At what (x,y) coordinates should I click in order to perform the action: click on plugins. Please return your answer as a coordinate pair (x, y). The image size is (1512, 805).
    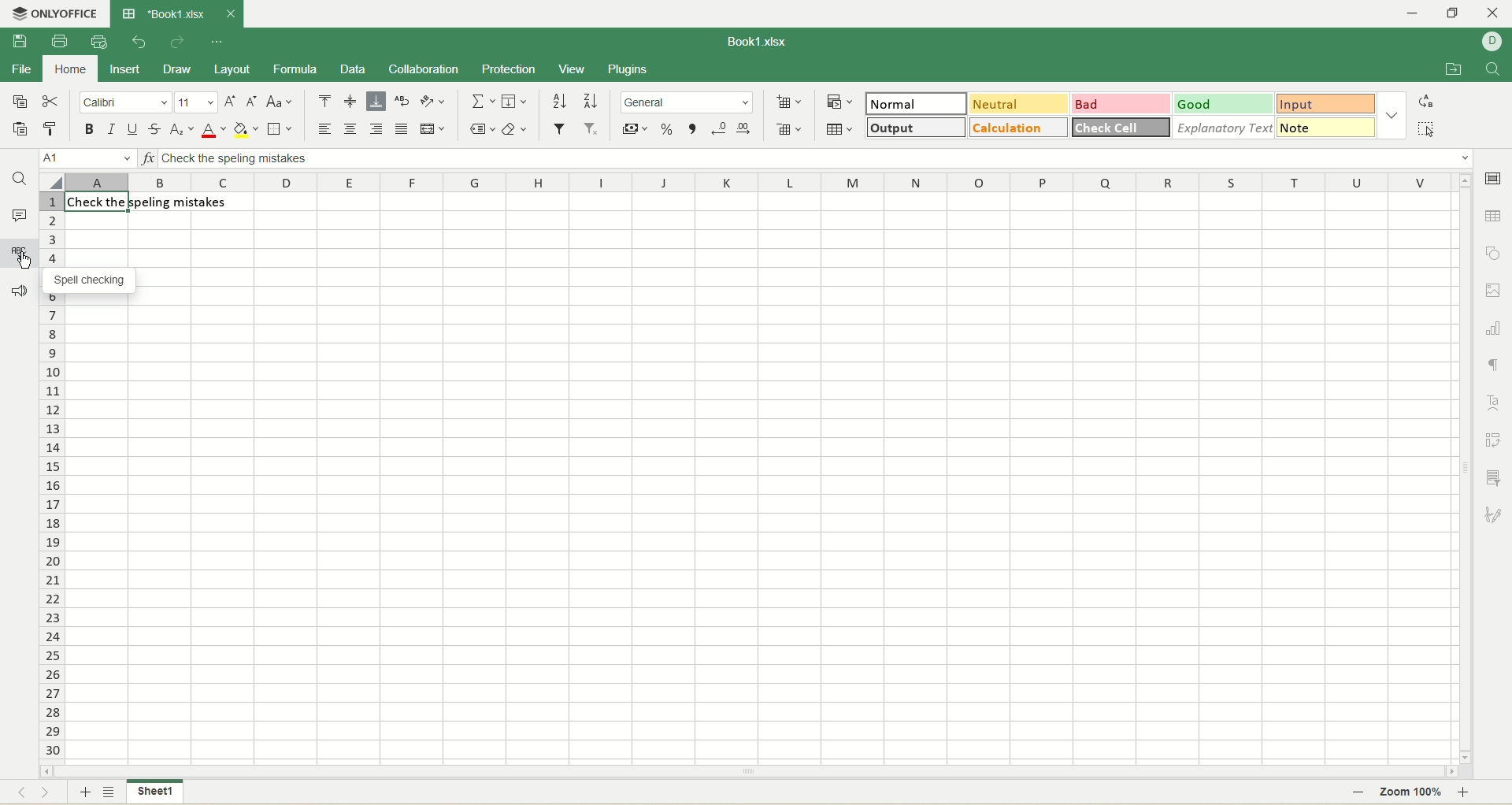
    Looking at the image, I should click on (631, 69).